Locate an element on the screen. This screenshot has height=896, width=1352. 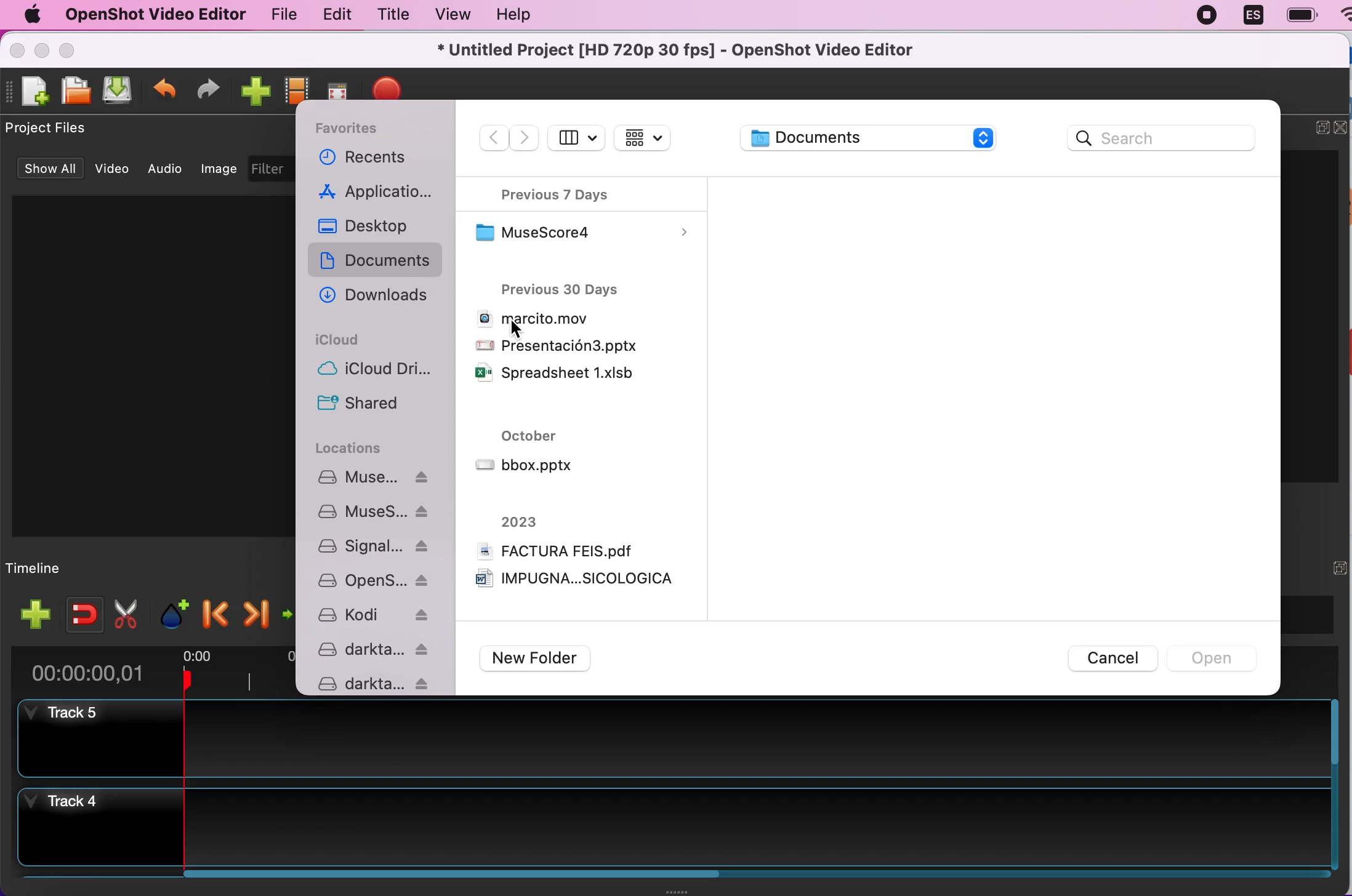
October is located at coordinates (528, 436).